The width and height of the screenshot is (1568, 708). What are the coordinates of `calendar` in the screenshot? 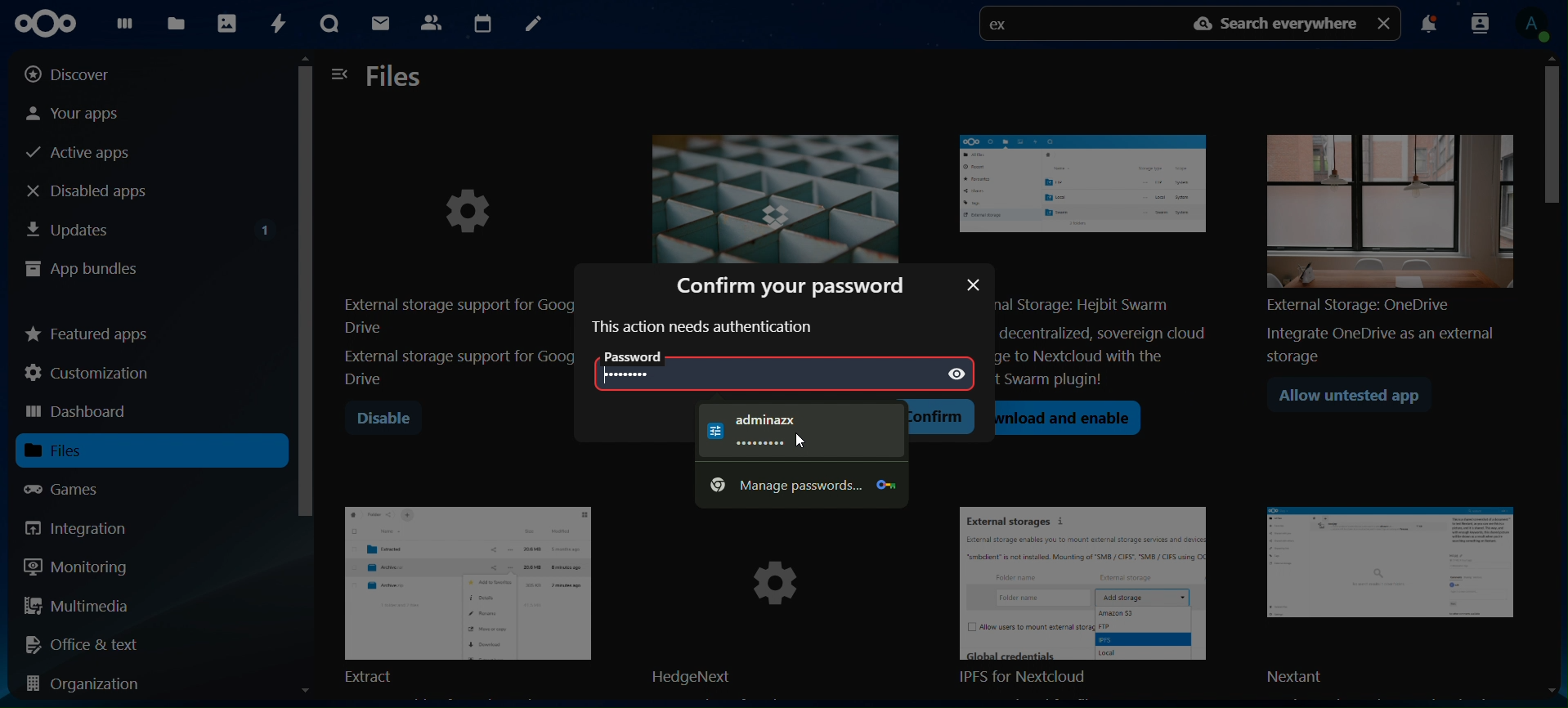 It's located at (482, 21).